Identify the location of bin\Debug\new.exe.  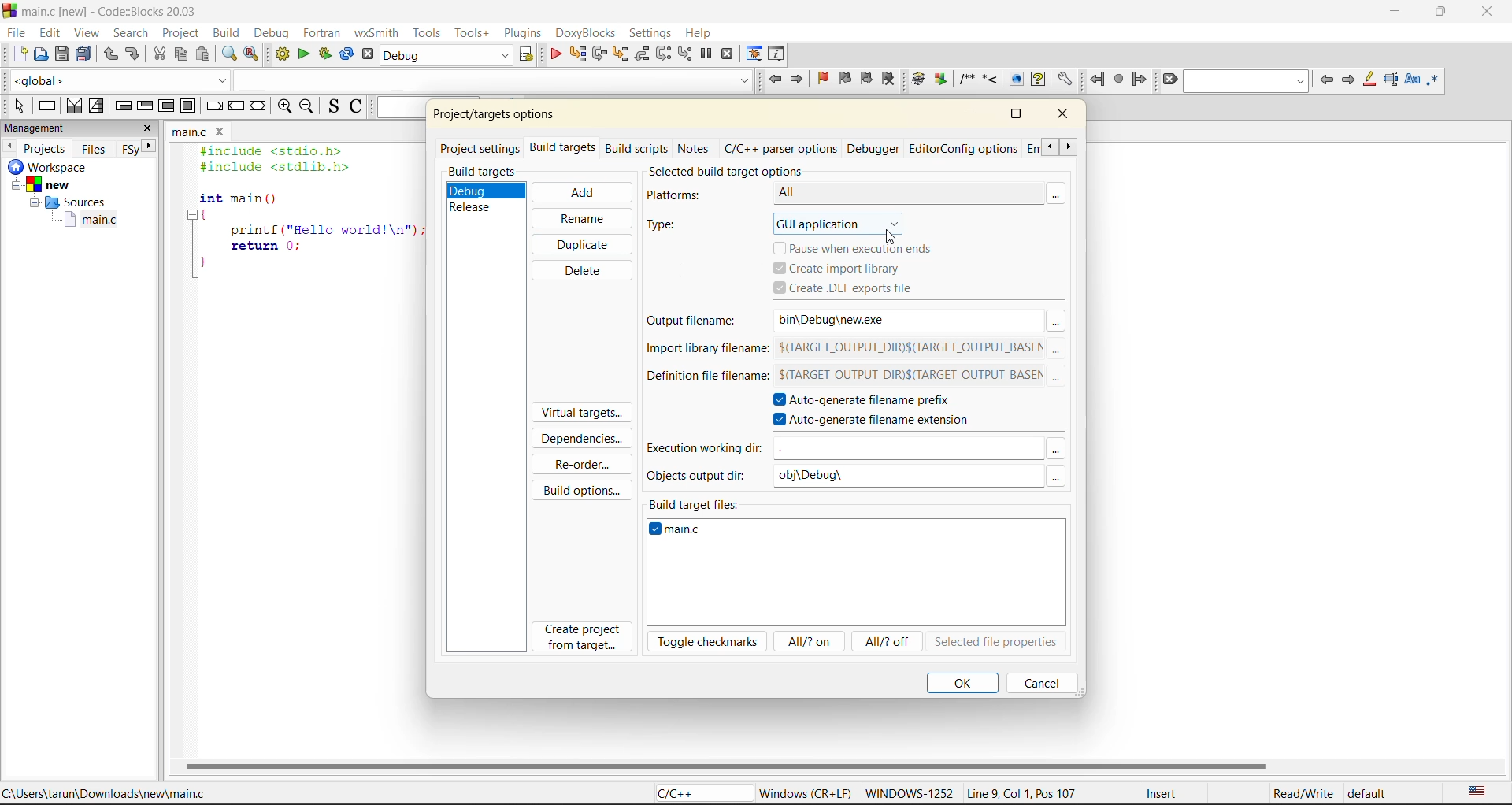
(893, 319).